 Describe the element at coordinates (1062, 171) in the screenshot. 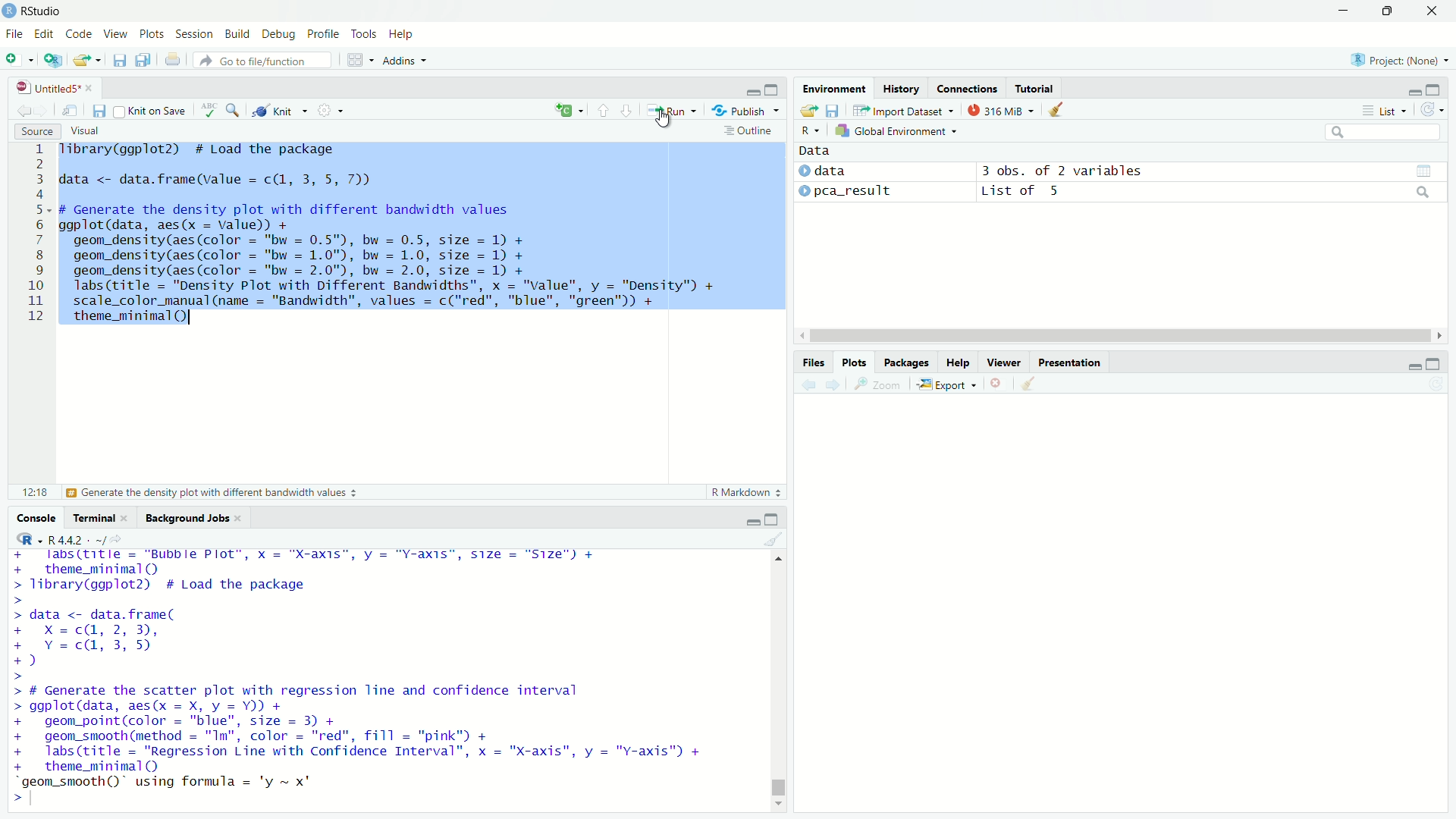

I see `3 obs. of 2 variables` at that location.